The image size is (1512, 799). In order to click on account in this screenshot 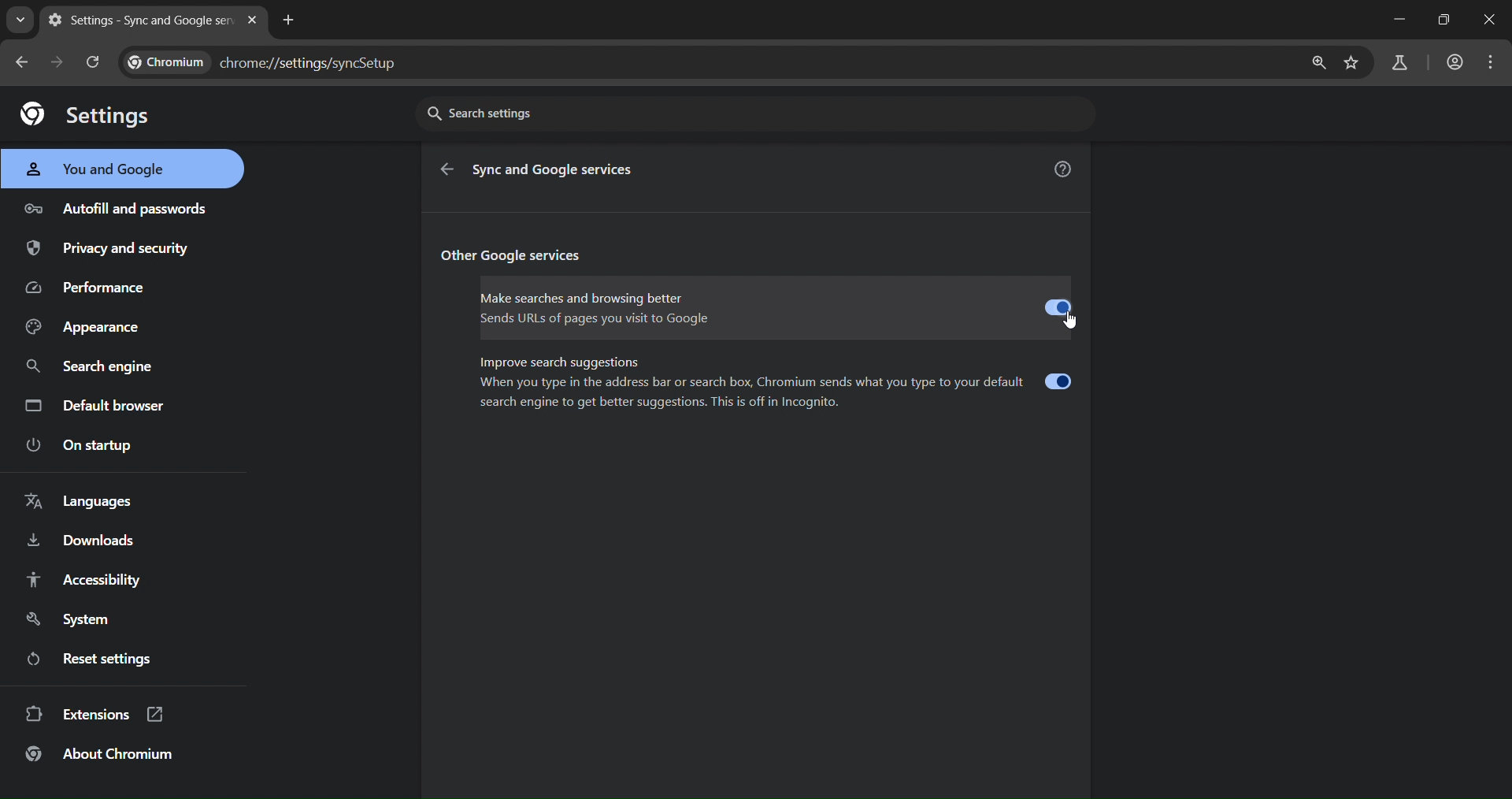, I will do `click(1455, 63)`.